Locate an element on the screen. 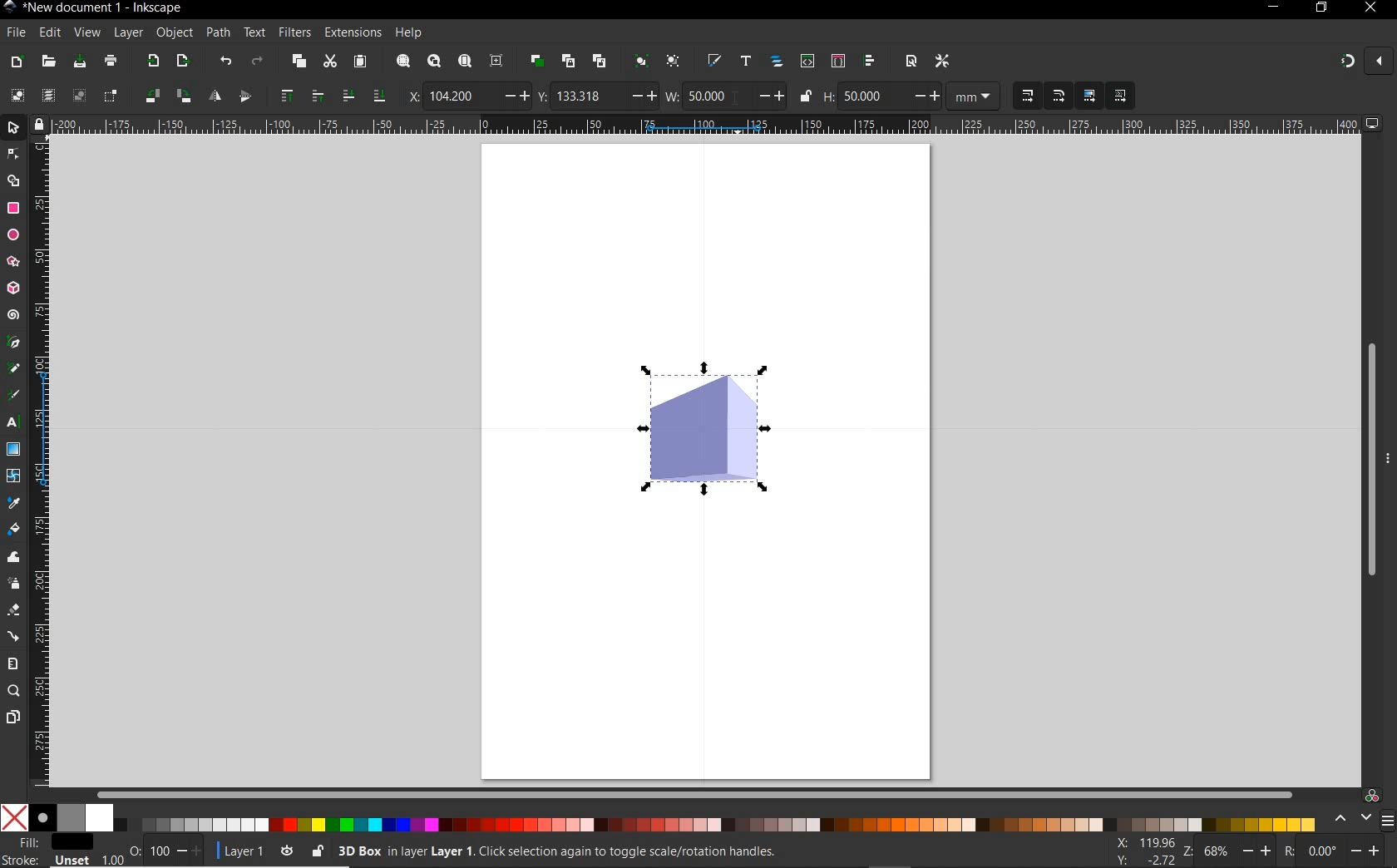 The image size is (1397, 868). ellipse tool is located at coordinates (12, 235).